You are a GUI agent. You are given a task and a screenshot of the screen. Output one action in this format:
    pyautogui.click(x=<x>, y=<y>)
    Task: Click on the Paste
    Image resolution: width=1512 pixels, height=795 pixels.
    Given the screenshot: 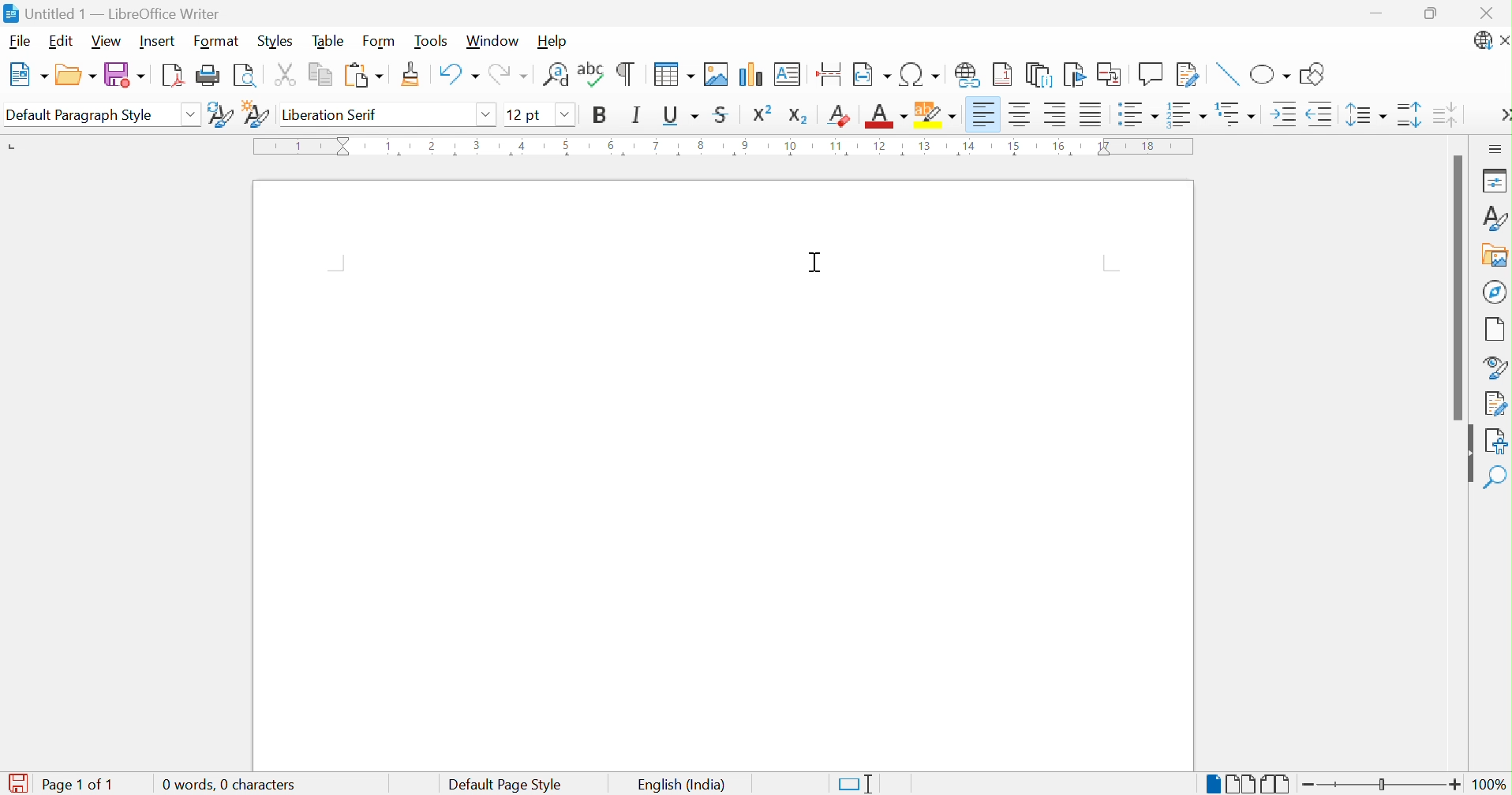 What is the action you would take?
    pyautogui.click(x=364, y=73)
    